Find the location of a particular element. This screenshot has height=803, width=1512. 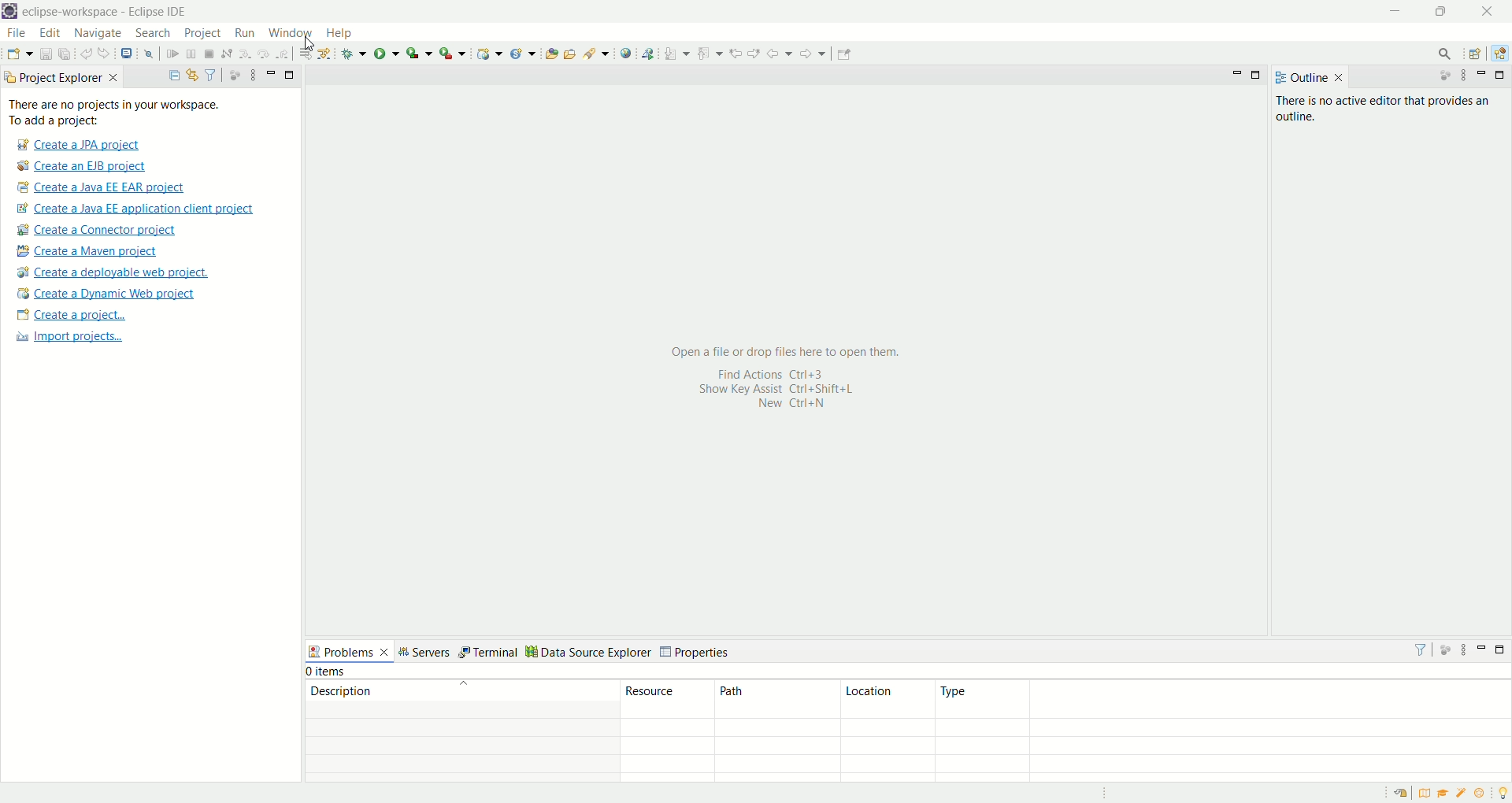

view menu is located at coordinates (1463, 76).